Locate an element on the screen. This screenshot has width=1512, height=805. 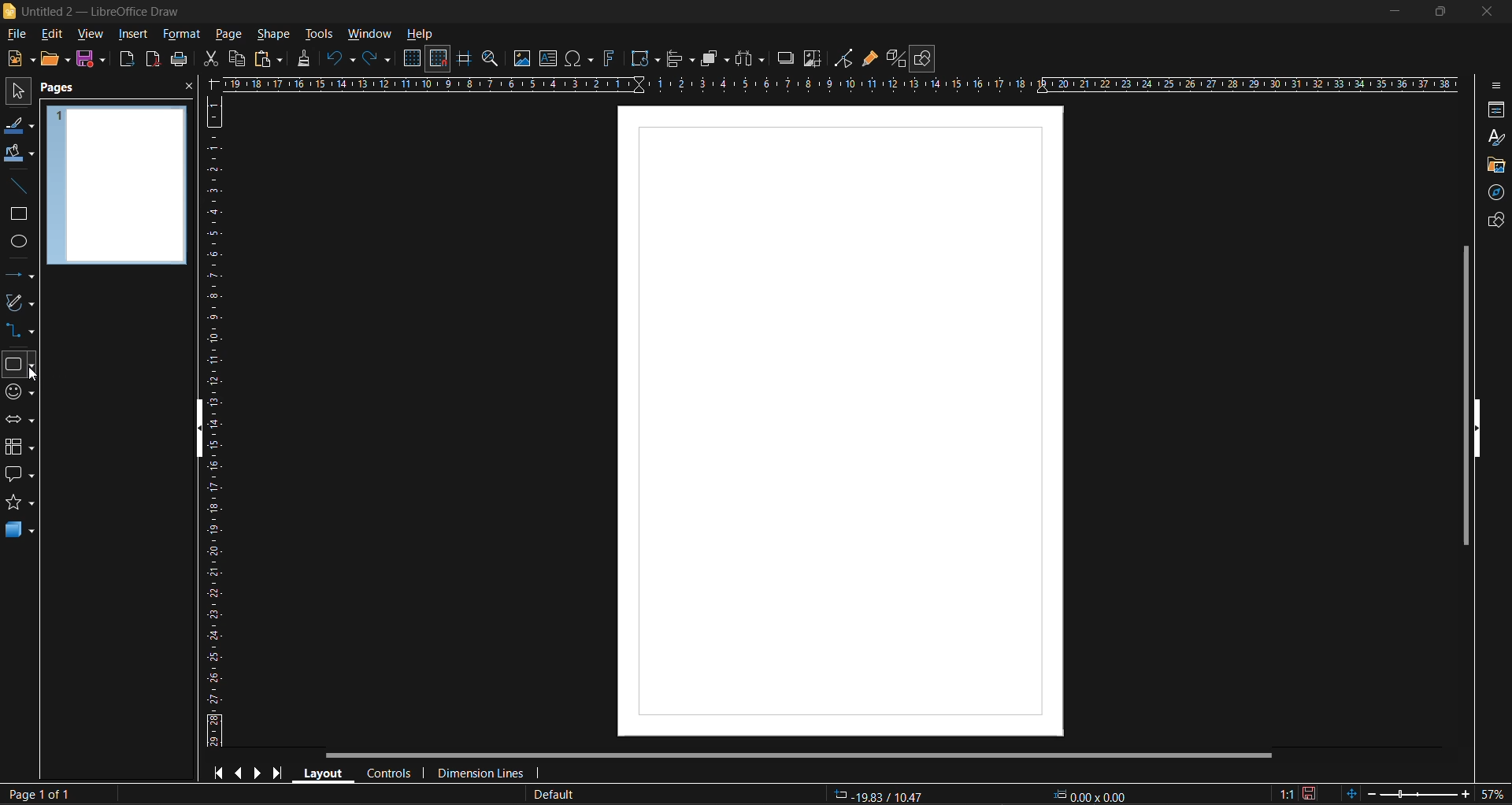
copy is located at coordinates (236, 59).